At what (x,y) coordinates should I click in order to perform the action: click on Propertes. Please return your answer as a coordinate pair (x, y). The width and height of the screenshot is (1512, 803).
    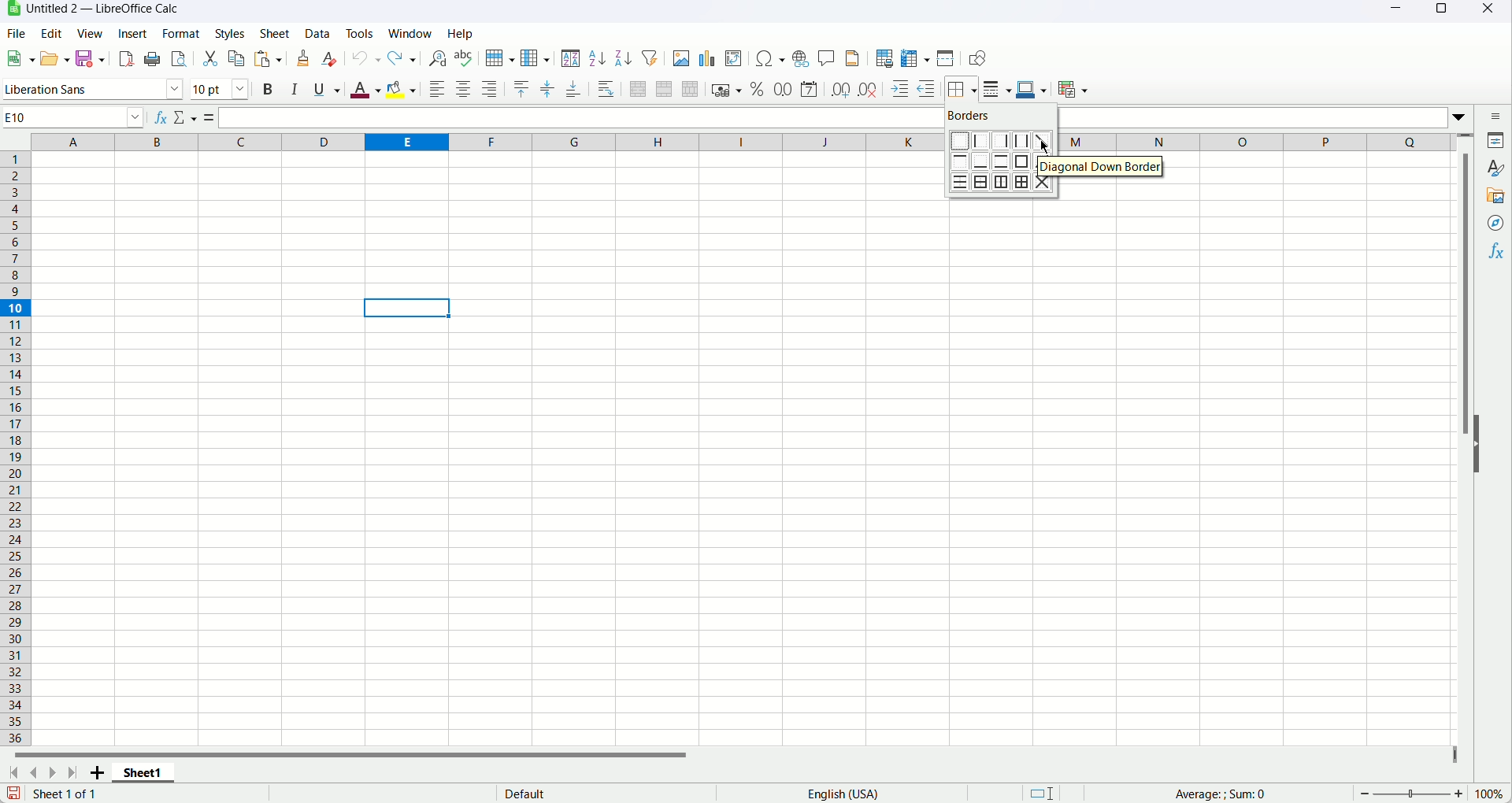
    Looking at the image, I should click on (1498, 142).